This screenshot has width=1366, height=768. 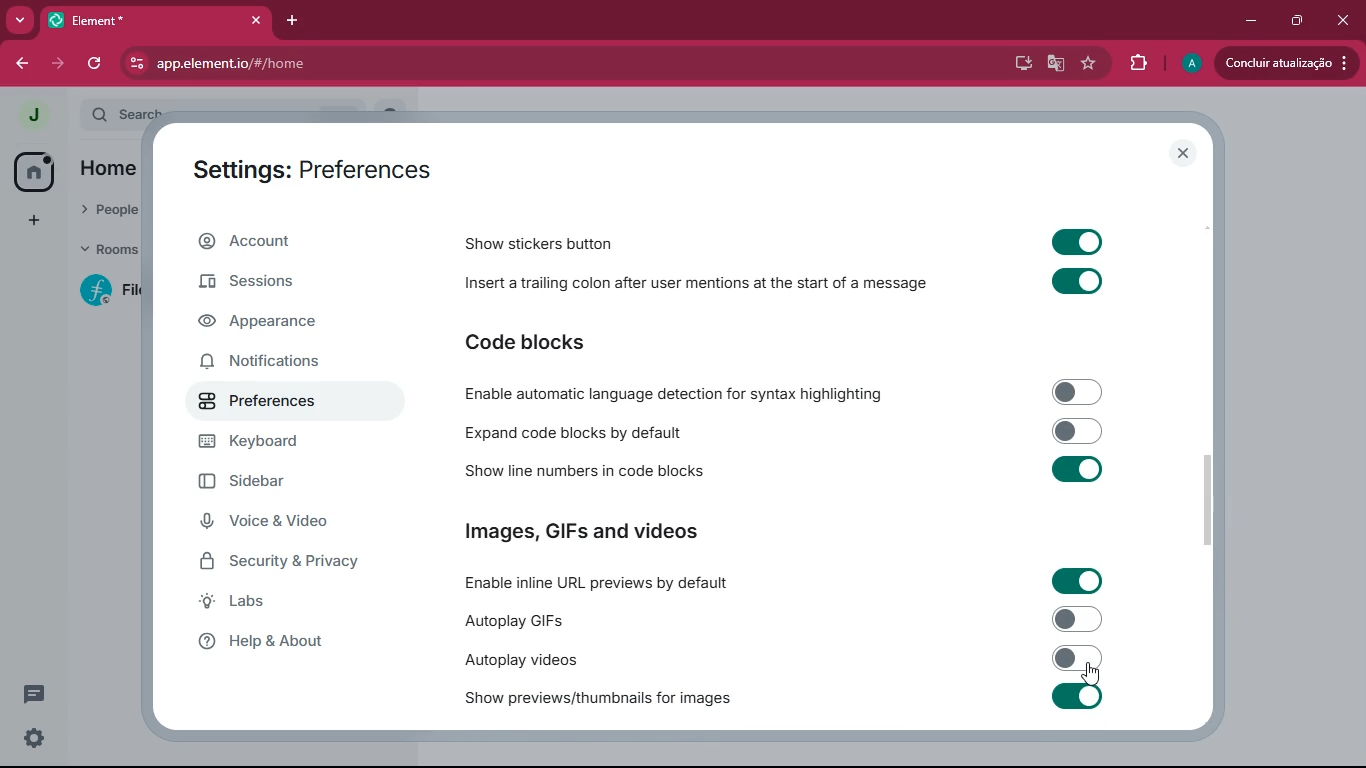 I want to click on labs, so click(x=288, y=606).